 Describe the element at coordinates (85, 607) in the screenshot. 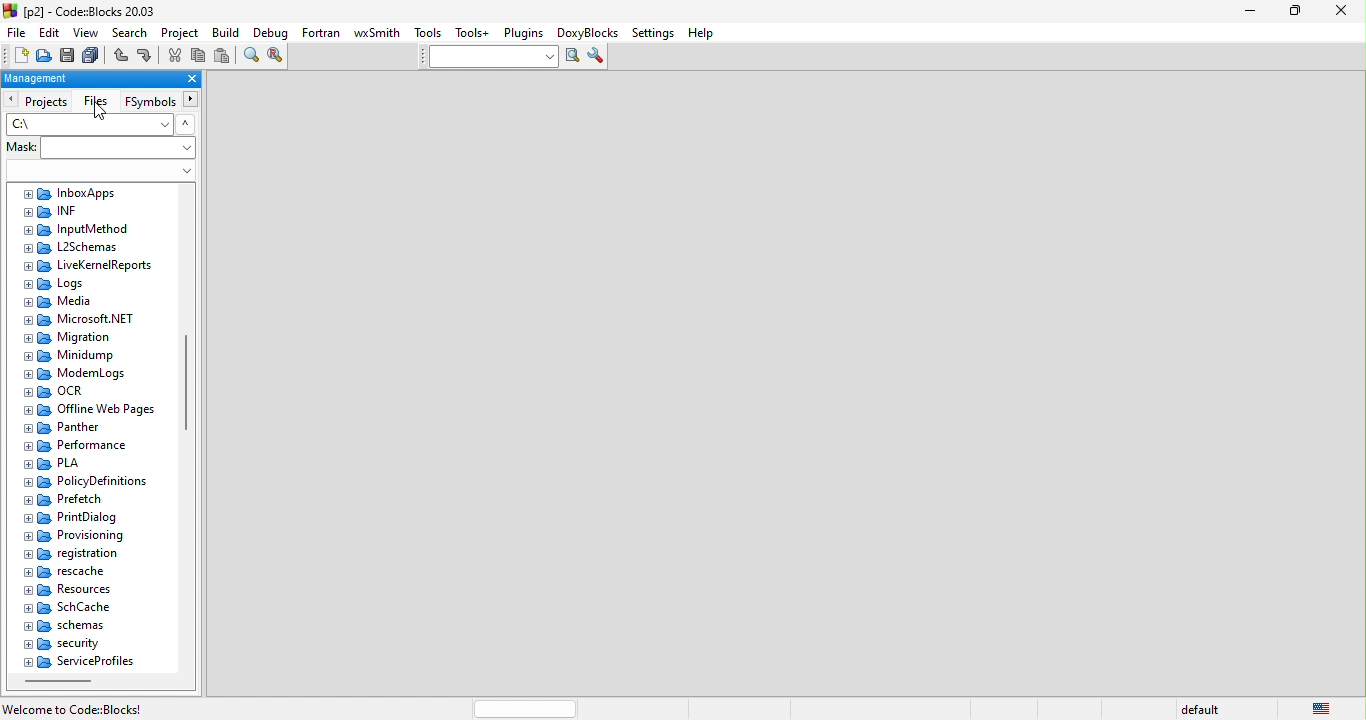

I see `schcahe` at that location.